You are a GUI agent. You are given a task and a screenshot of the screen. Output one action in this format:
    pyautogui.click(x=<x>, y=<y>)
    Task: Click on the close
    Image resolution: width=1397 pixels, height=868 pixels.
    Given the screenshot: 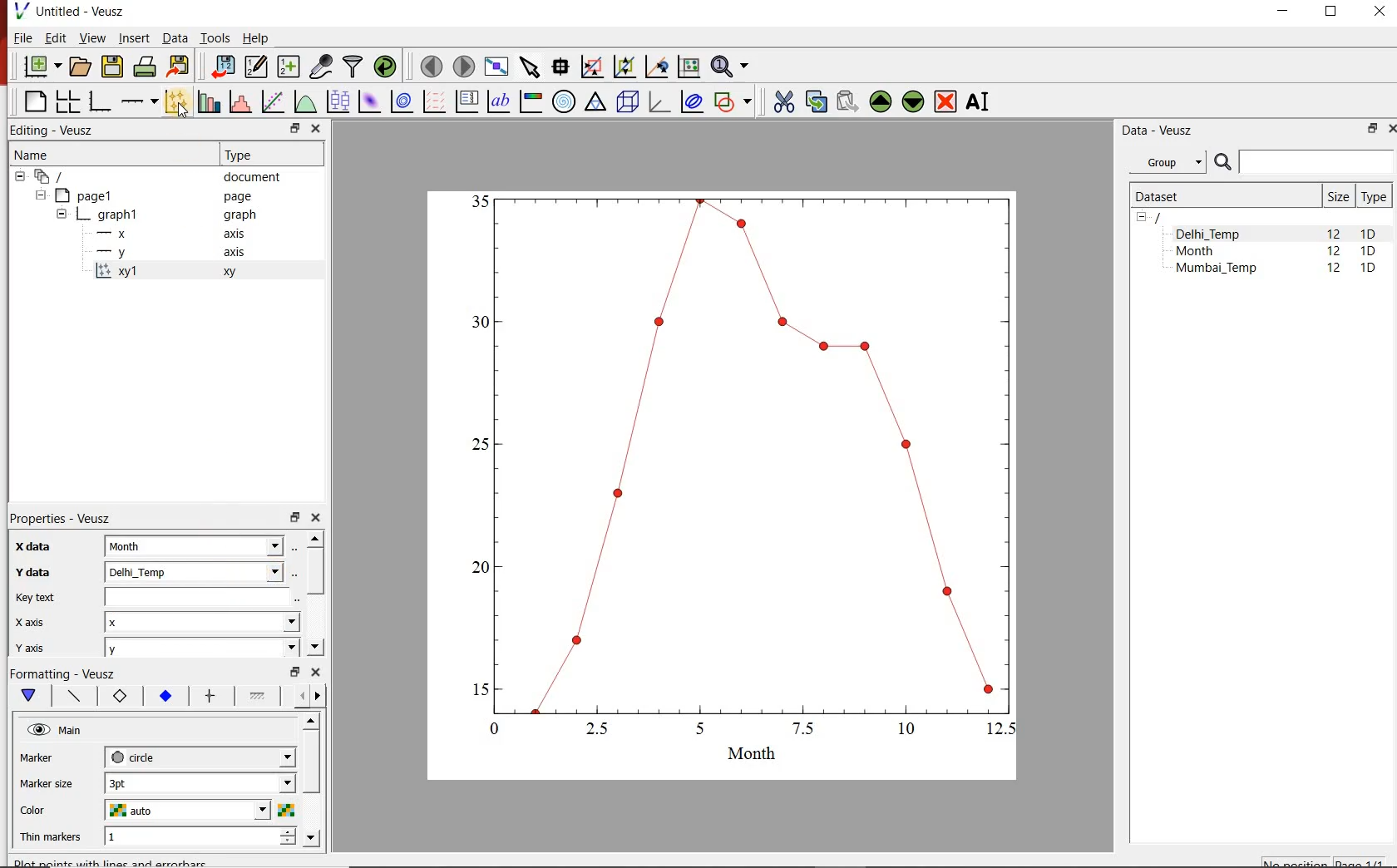 What is the action you would take?
    pyautogui.click(x=314, y=518)
    